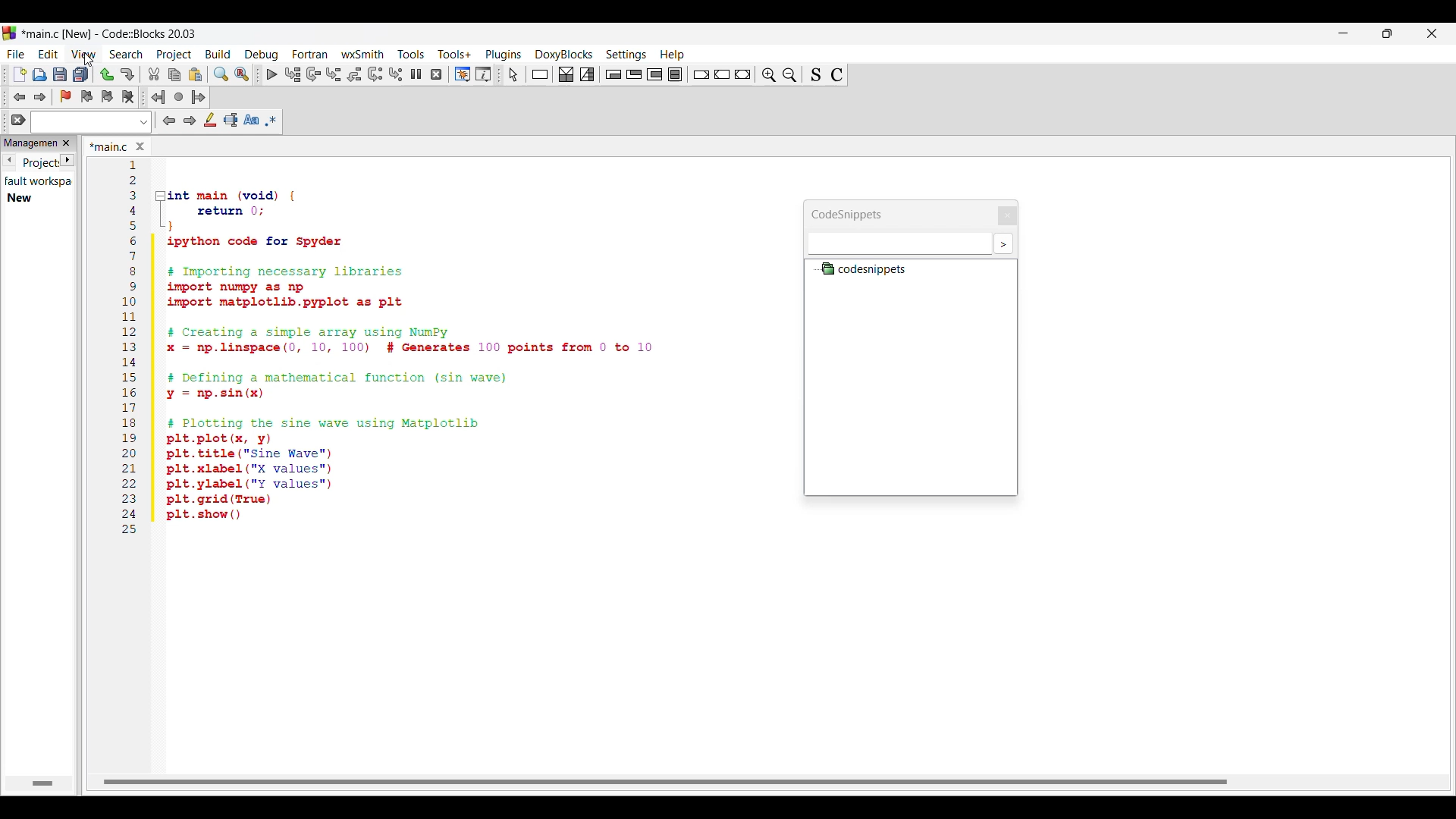 The image size is (1456, 819). I want to click on Match case, so click(252, 120).